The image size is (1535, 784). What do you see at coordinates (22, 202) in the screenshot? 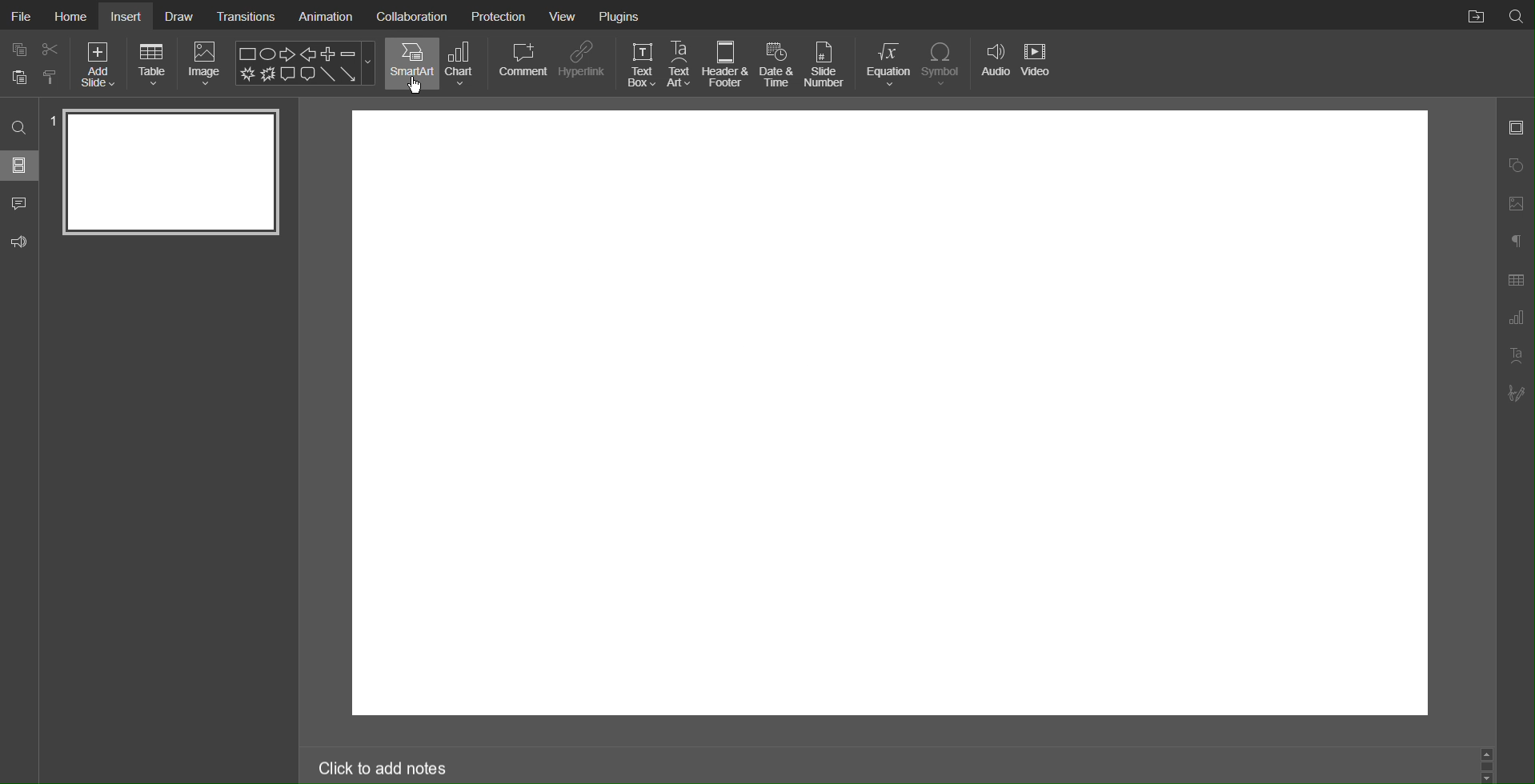
I see `Comments` at bounding box center [22, 202].